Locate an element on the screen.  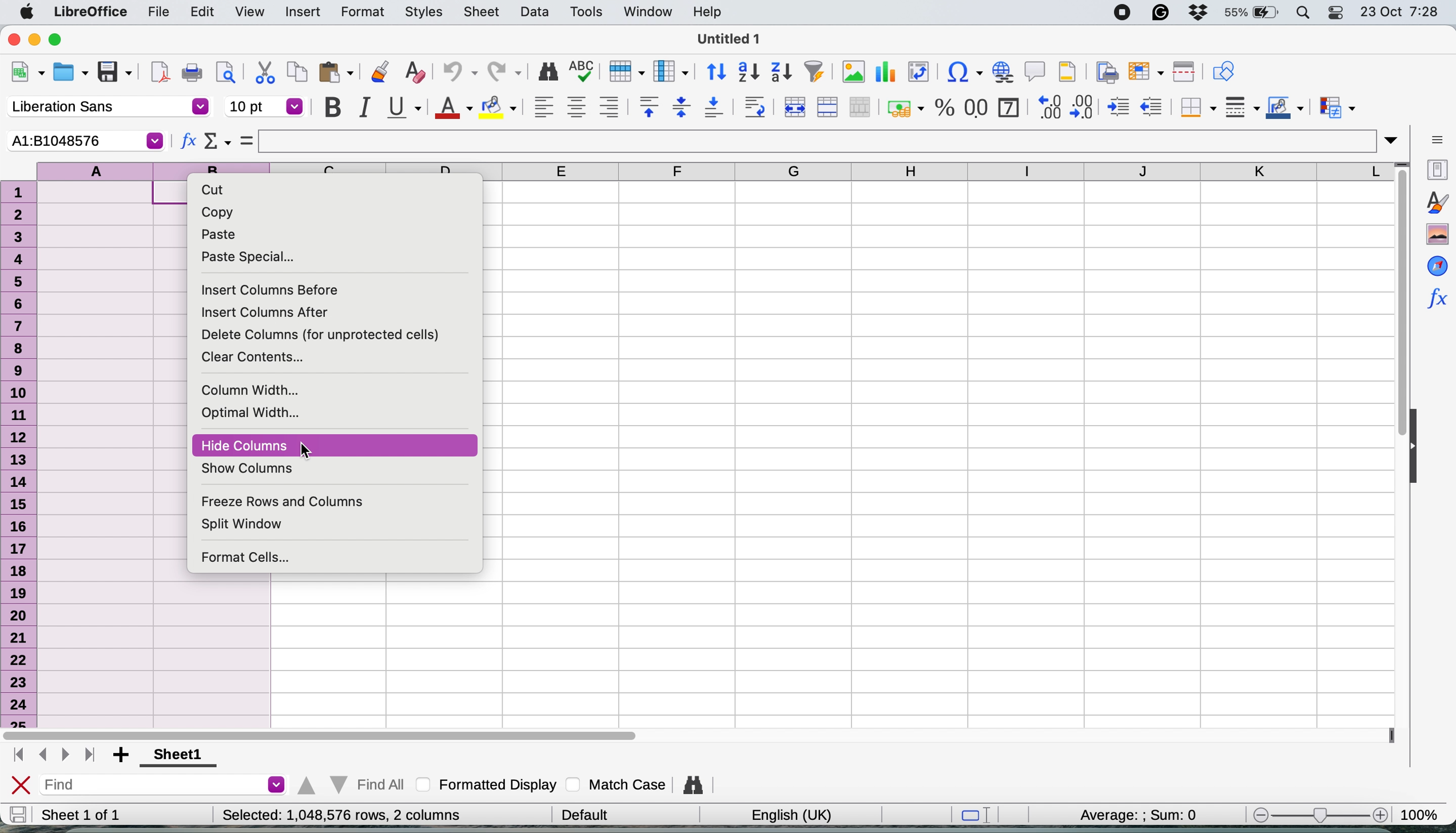
show columns is located at coordinates (251, 470).